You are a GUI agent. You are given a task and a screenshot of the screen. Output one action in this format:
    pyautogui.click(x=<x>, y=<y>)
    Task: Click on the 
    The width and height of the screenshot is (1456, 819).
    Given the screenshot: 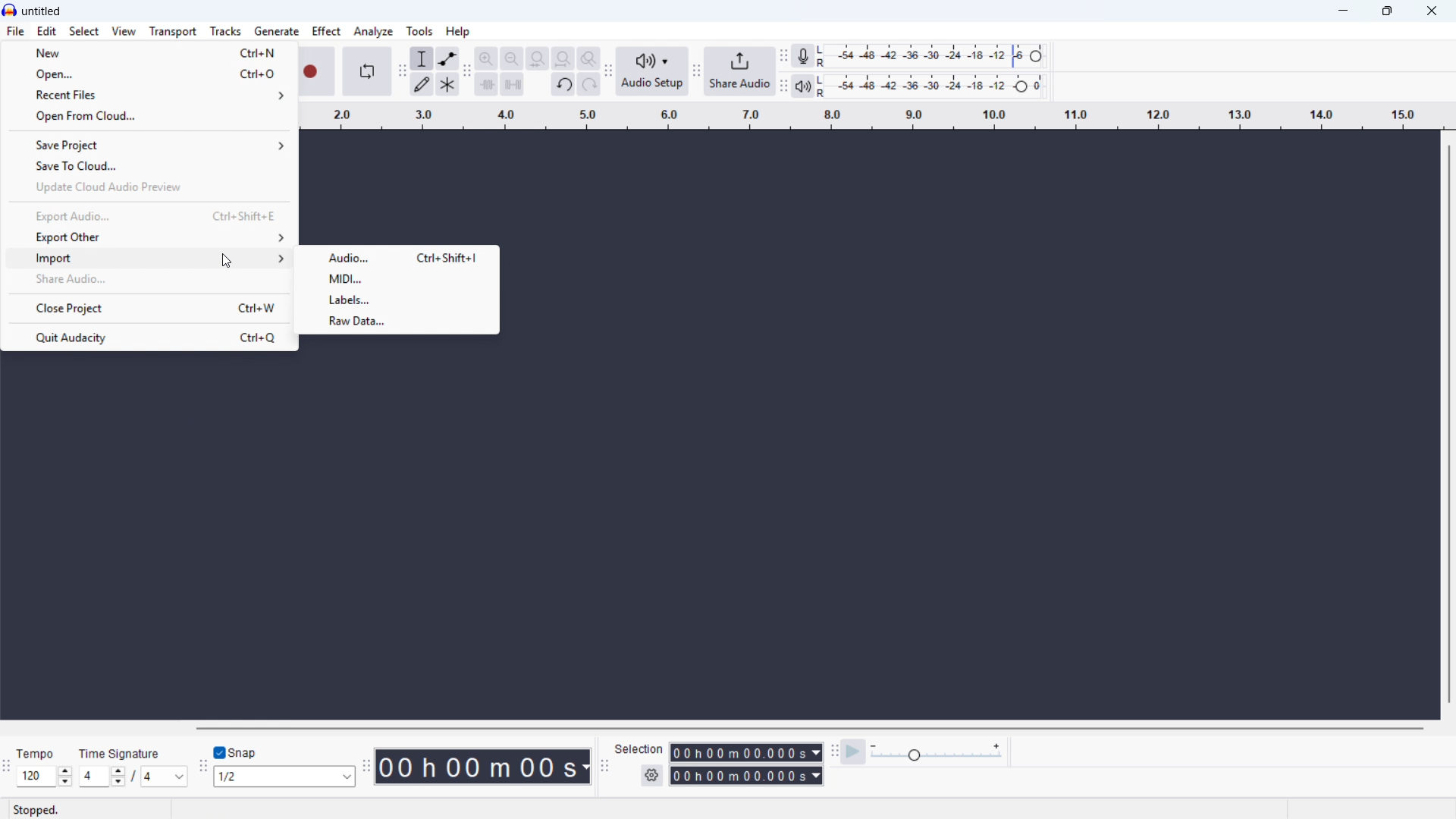 What is the action you would take?
    pyautogui.click(x=937, y=752)
    